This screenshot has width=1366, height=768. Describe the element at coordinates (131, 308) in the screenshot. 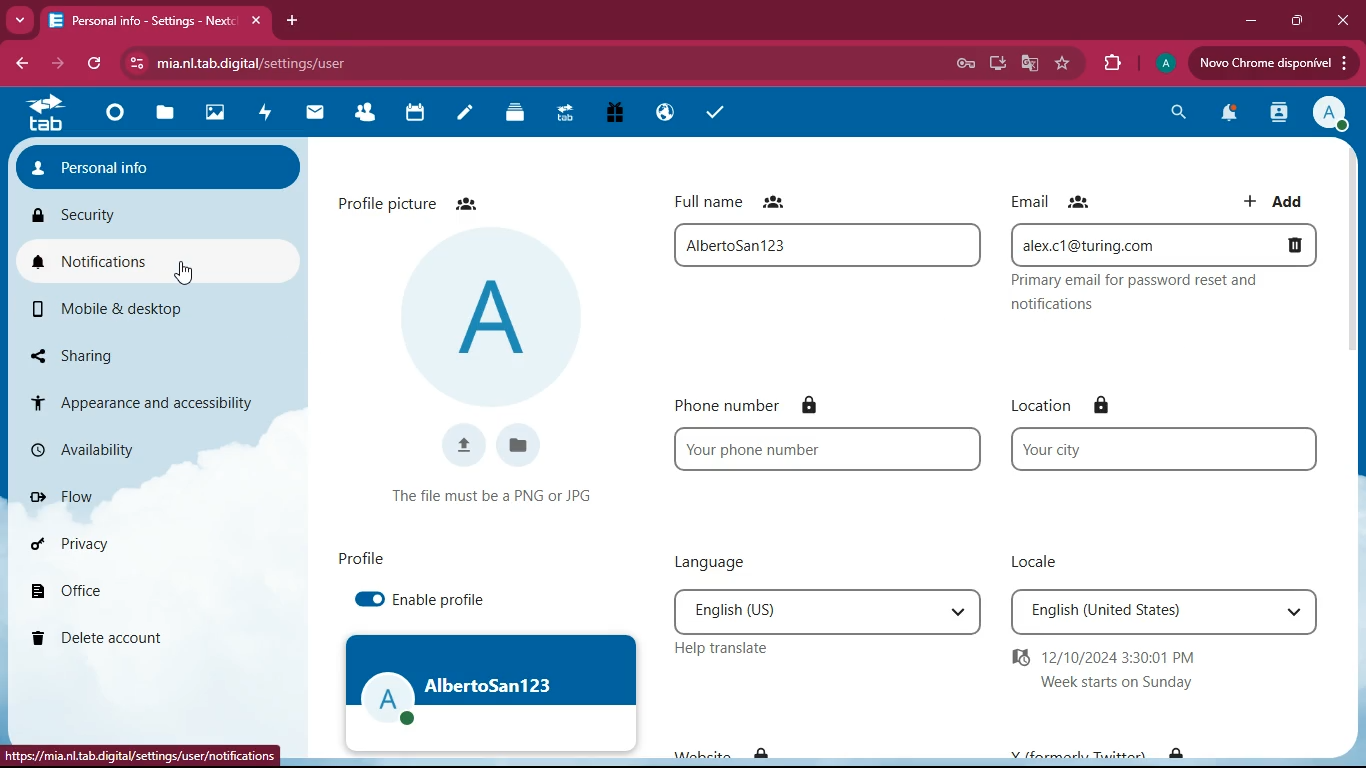

I see `mobile` at that location.